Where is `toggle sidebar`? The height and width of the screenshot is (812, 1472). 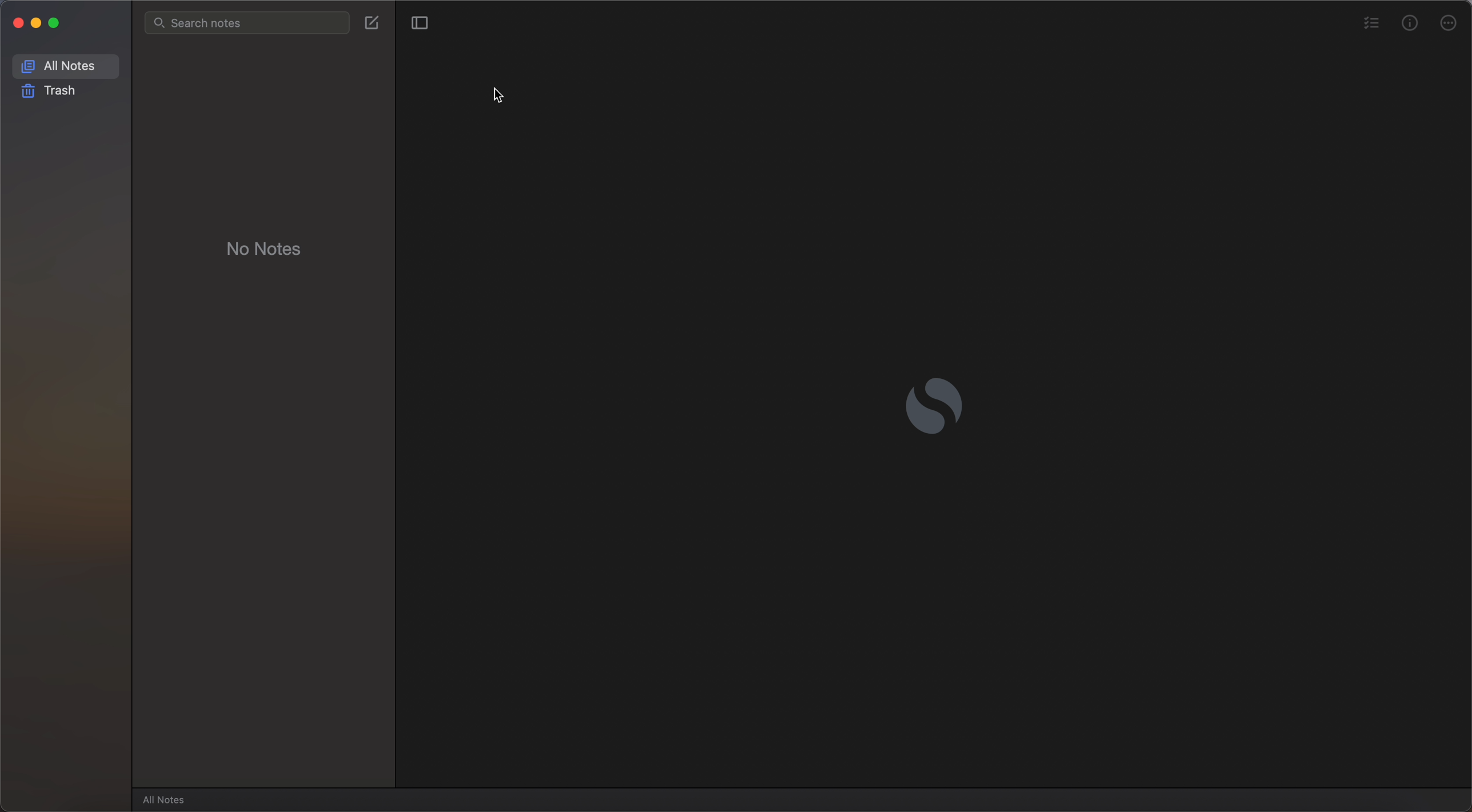 toggle sidebar is located at coordinates (418, 23).